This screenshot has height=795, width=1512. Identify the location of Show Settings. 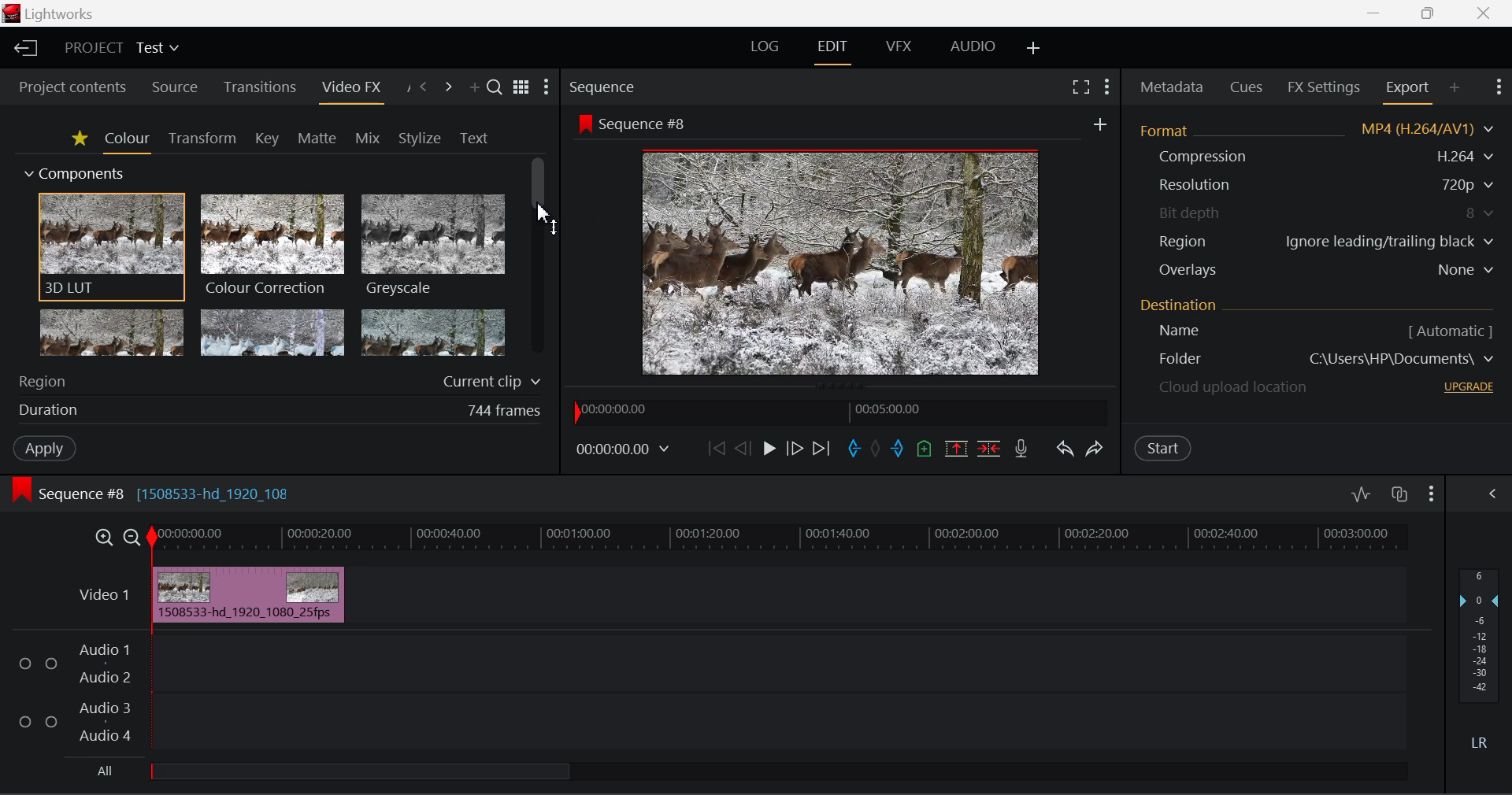
(1106, 88).